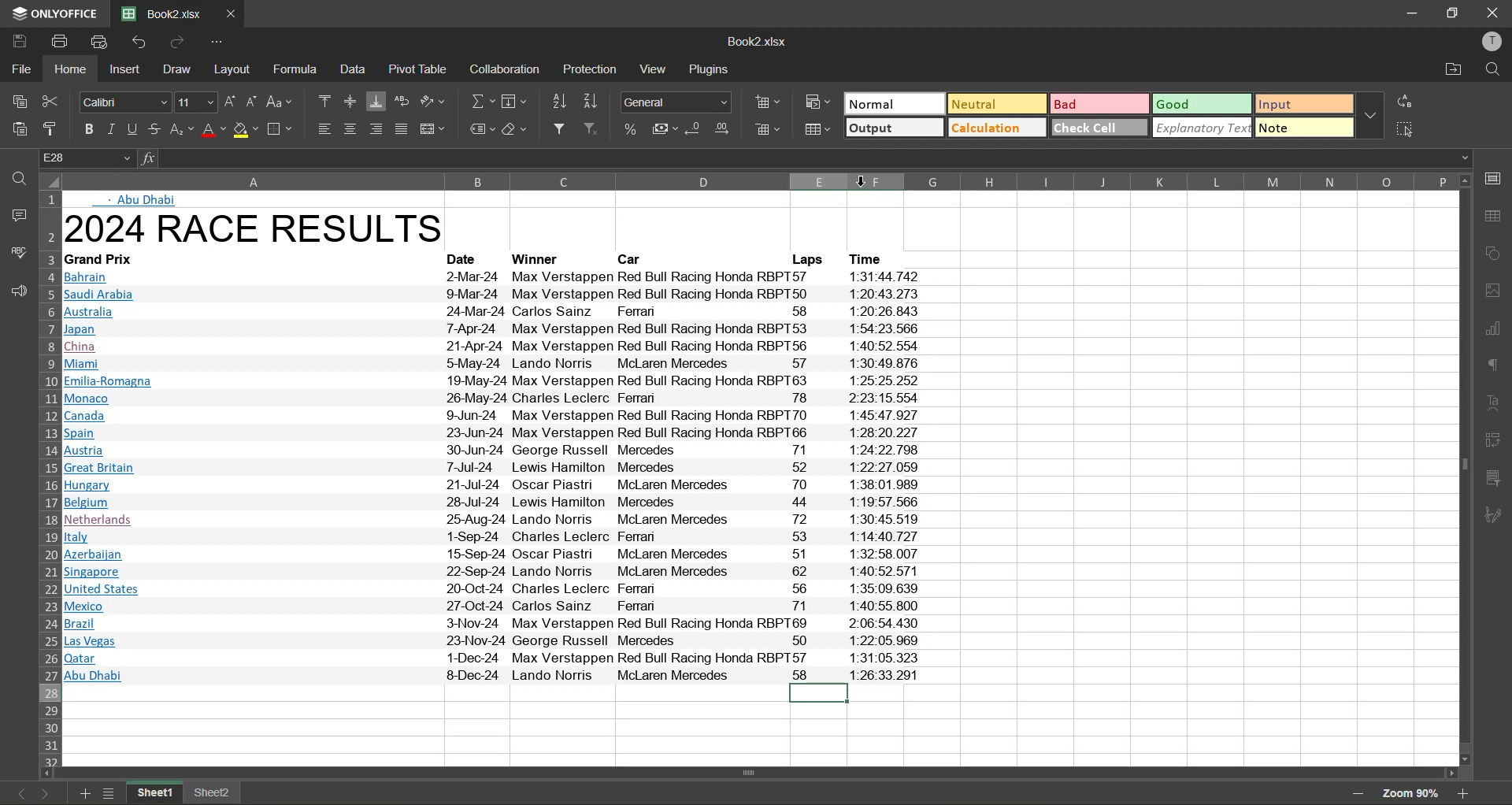  Describe the element at coordinates (1304, 128) in the screenshot. I see `note` at that location.